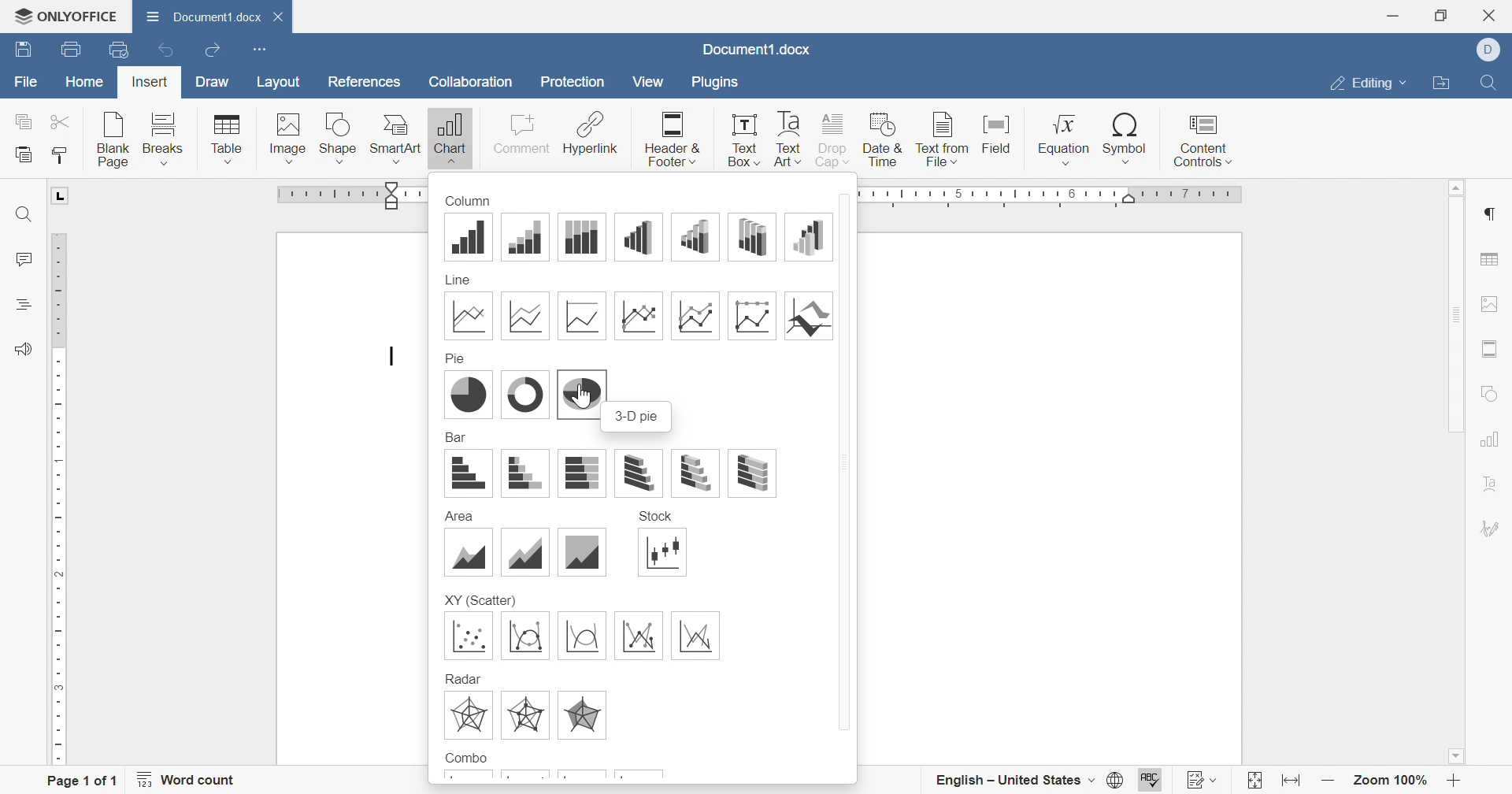  Describe the element at coordinates (638, 636) in the screenshot. I see `Scatter with straight lines and markers` at that location.